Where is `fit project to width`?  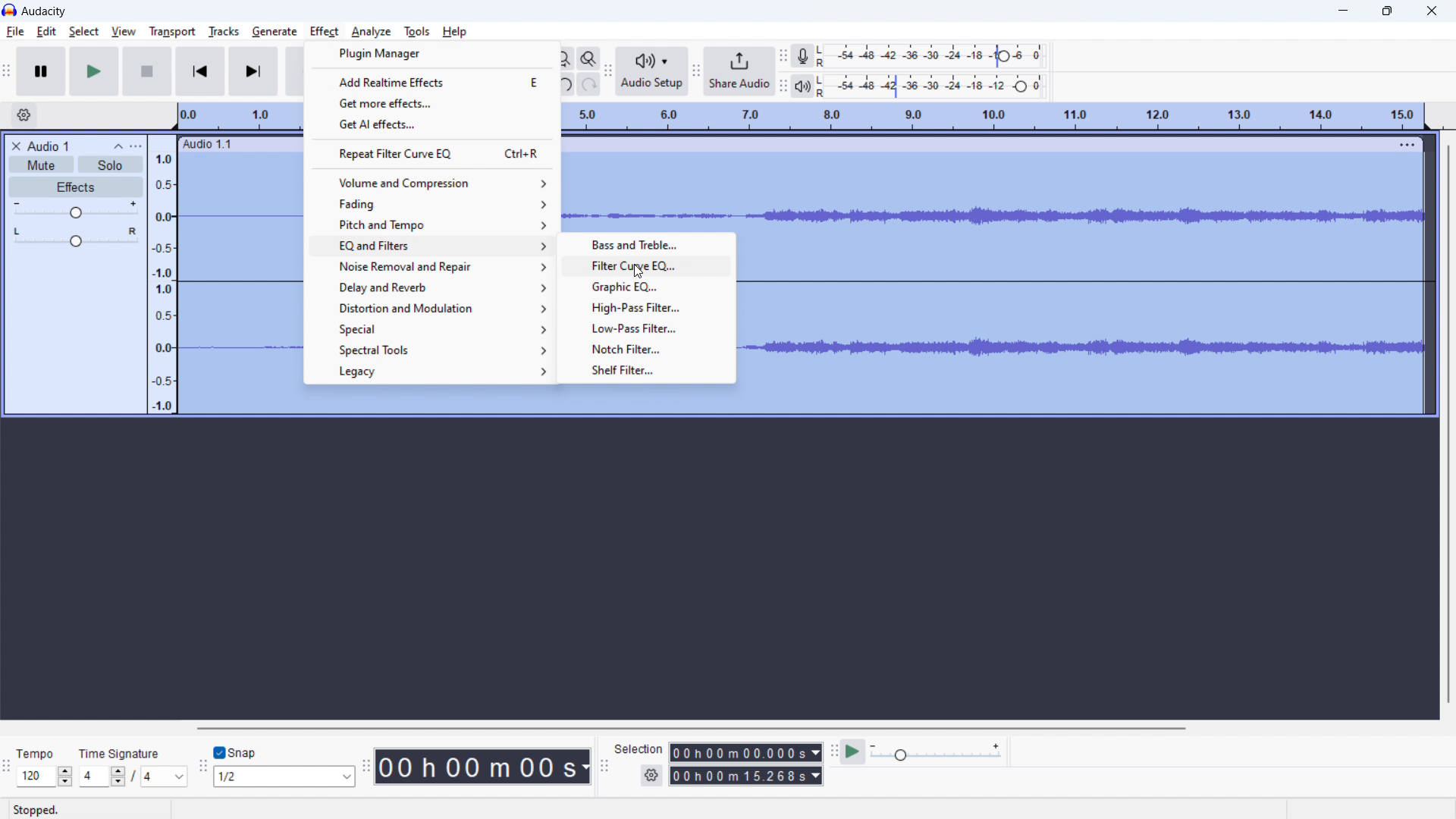
fit project to width is located at coordinates (566, 59).